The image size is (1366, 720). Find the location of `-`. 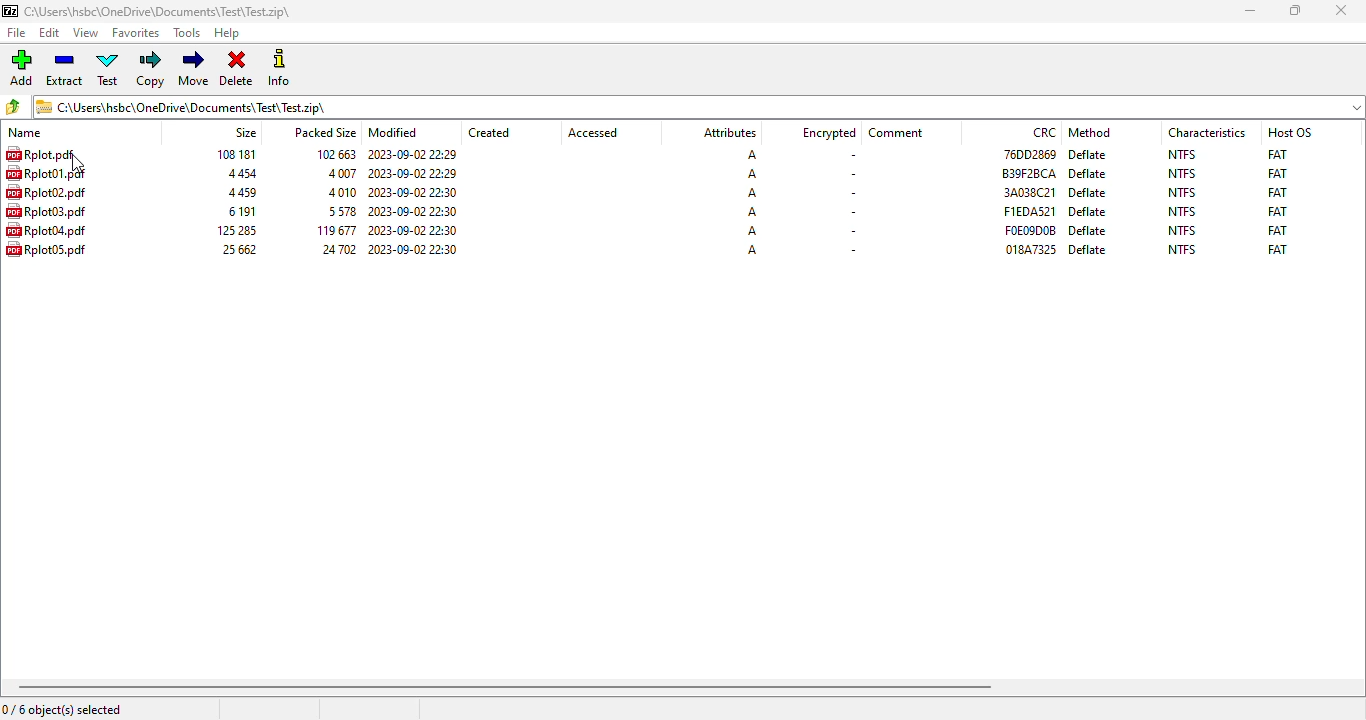

- is located at coordinates (851, 231).